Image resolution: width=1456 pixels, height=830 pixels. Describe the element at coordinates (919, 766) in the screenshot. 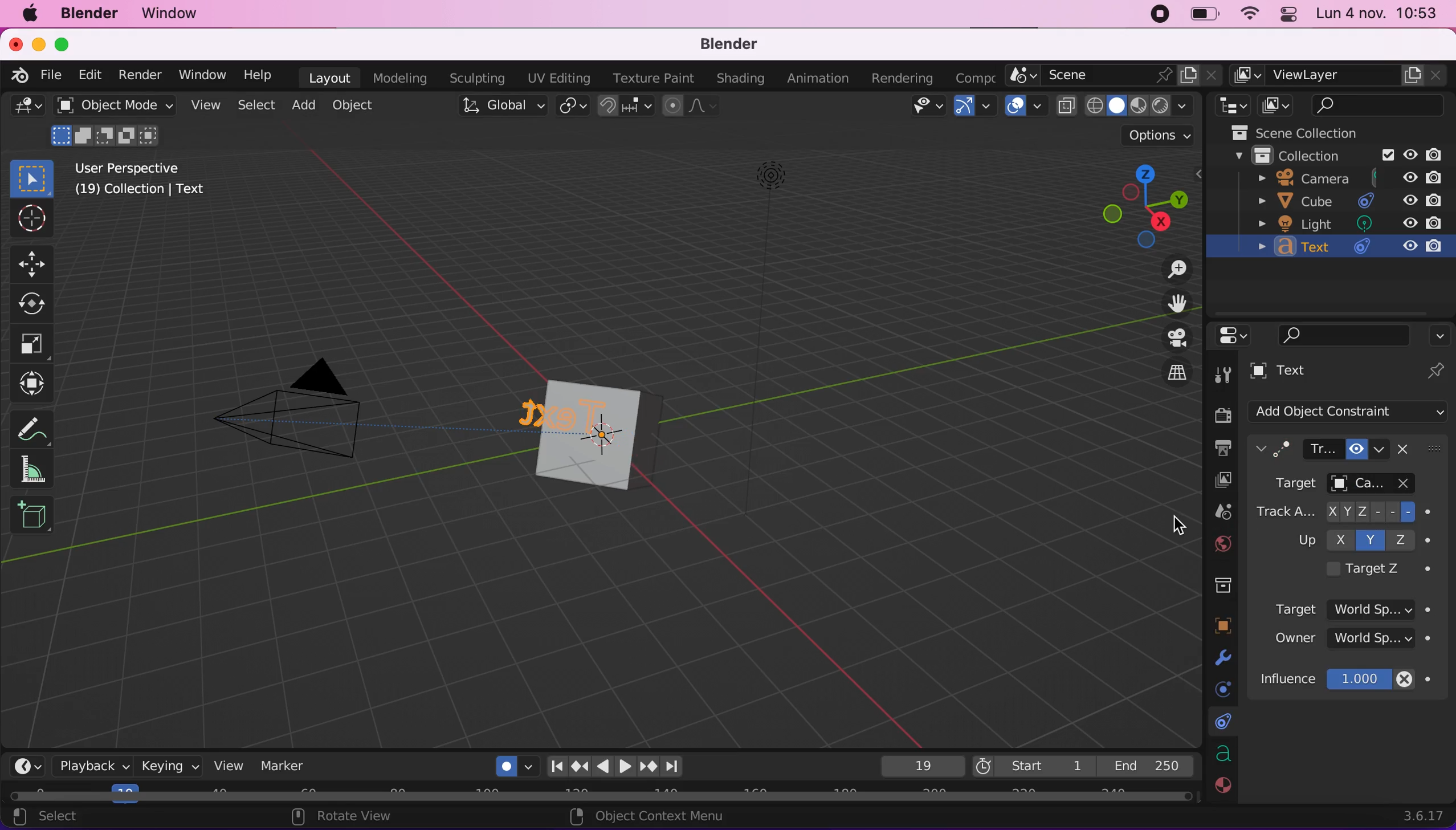

I see `current frame` at that location.